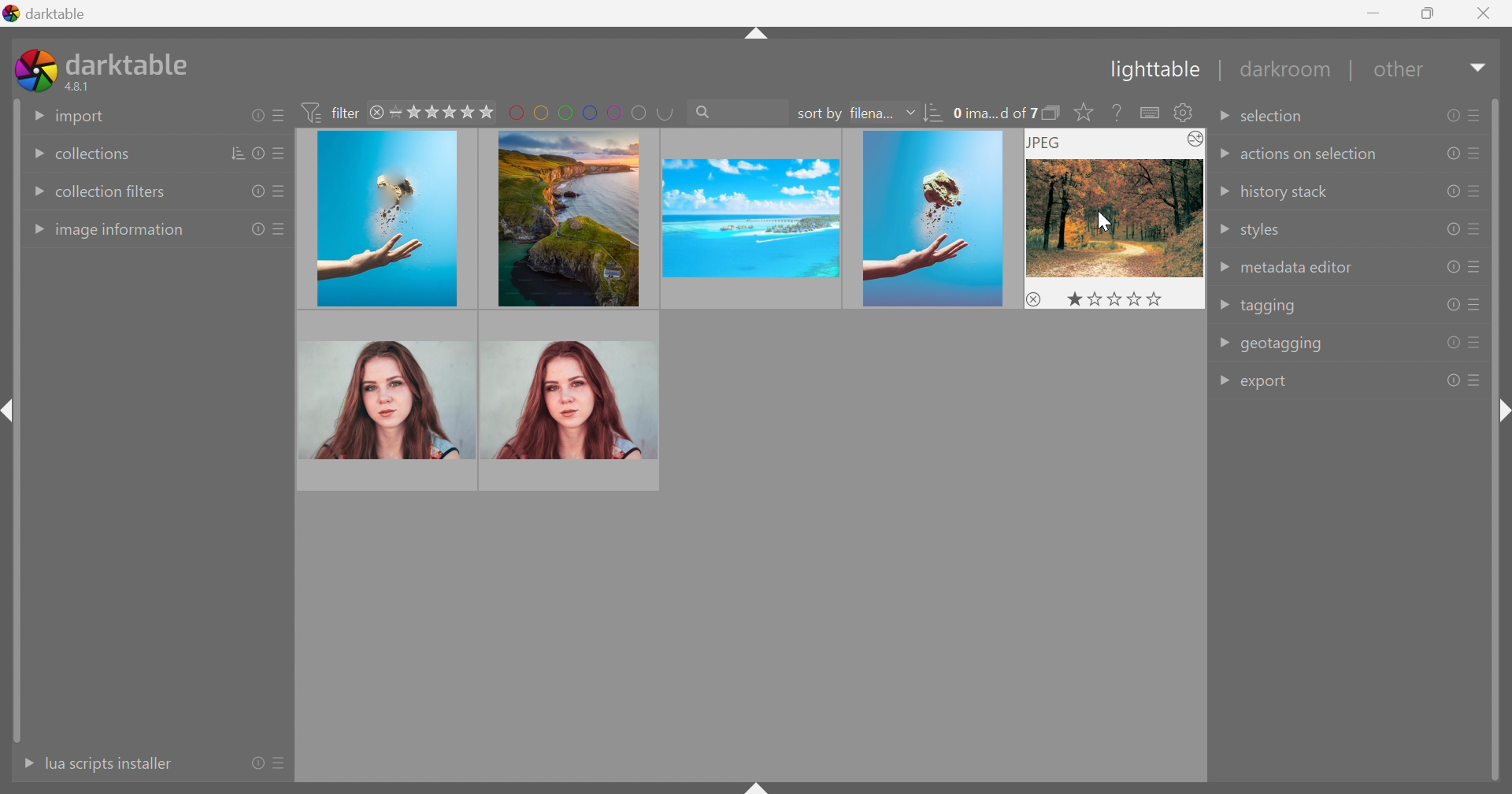 Image resolution: width=1512 pixels, height=794 pixels. I want to click on search, so click(736, 110).